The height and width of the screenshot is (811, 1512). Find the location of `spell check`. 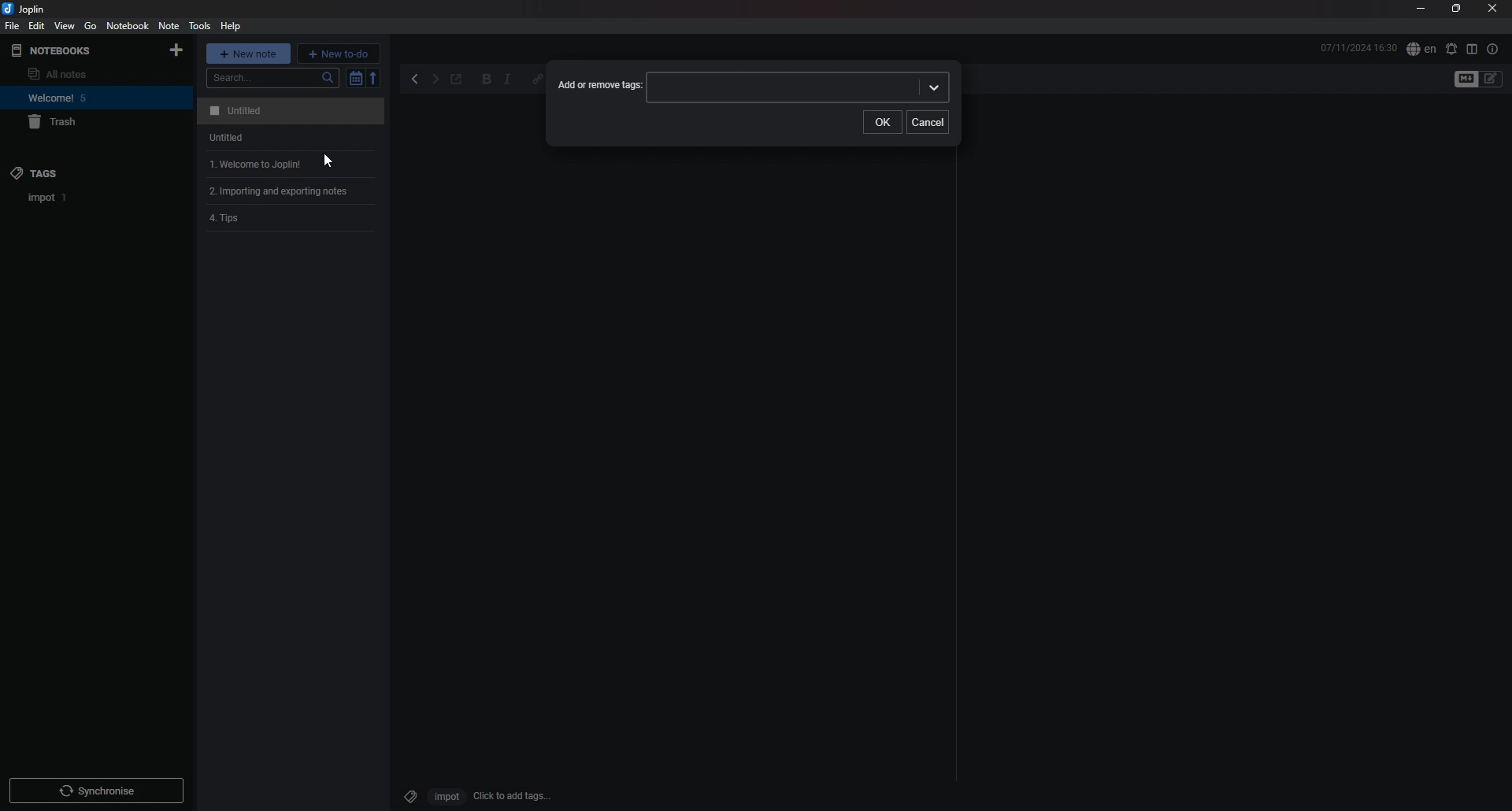

spell check is located at coordinates (1421, 50).